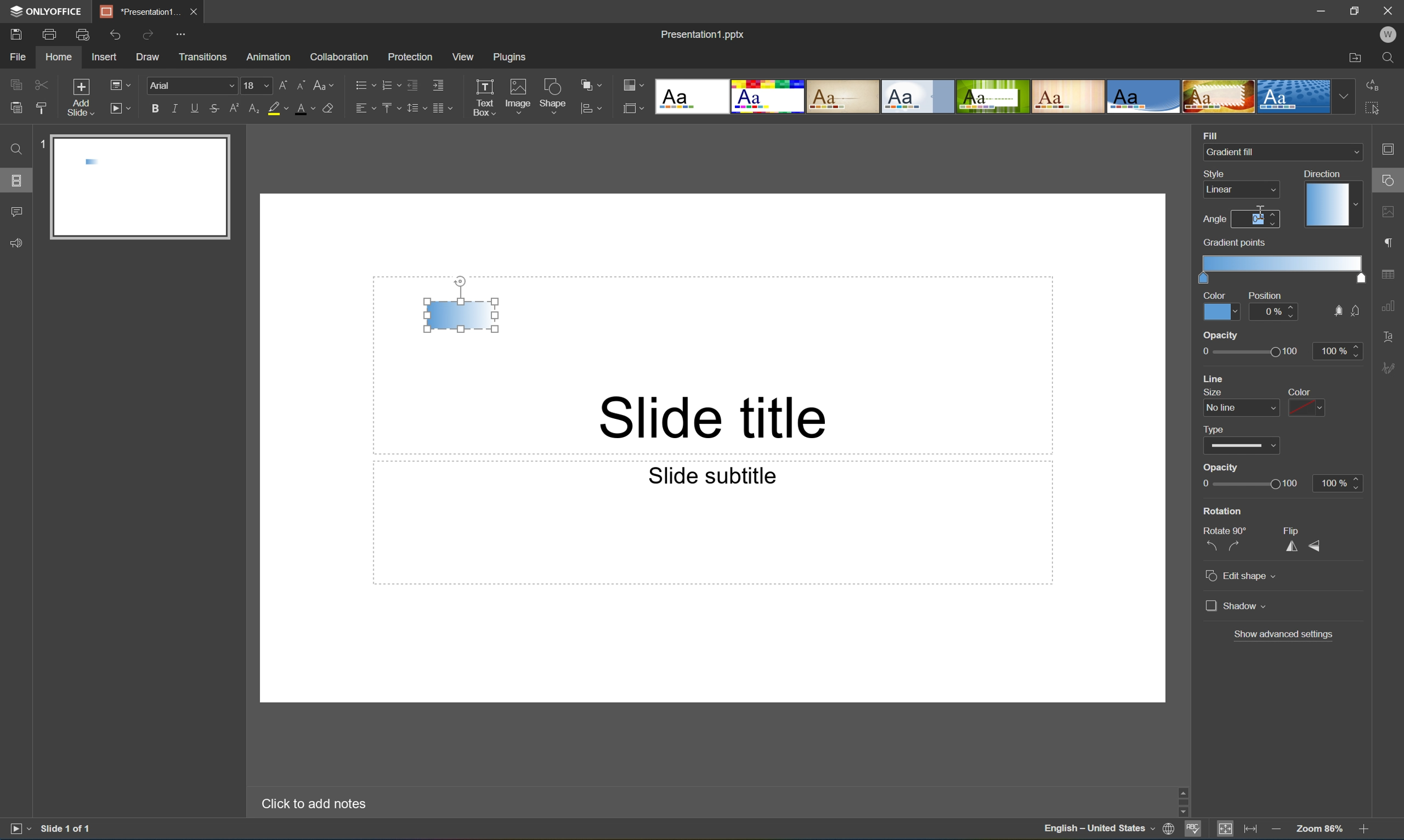 This screenshot has height=840, width=1404. Describe the element at coordinates (512, 57) in the screenshot. I see `Plugins` at that location.